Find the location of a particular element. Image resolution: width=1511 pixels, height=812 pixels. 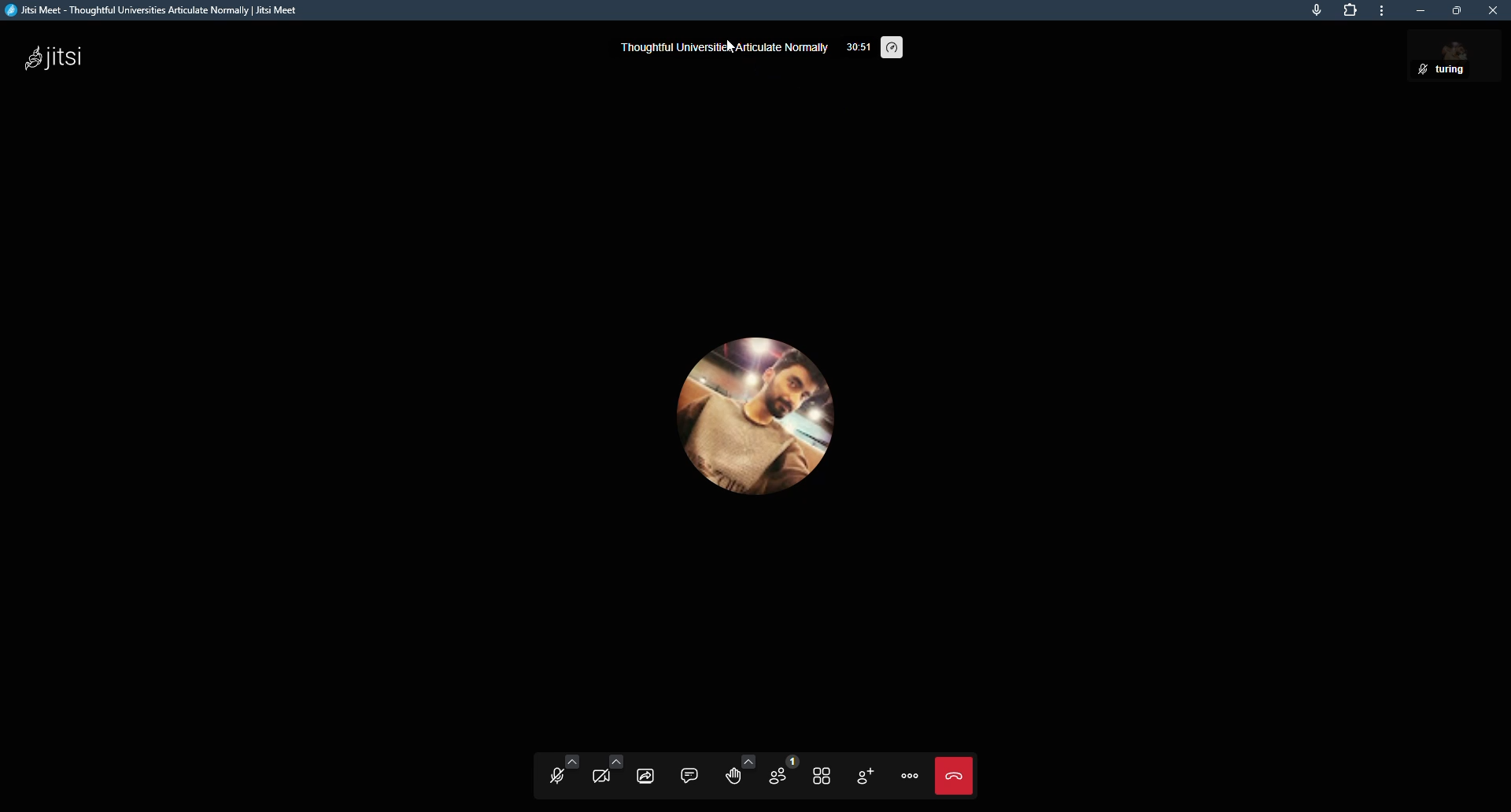

start screen sharing is located at coordinates (648, 773).